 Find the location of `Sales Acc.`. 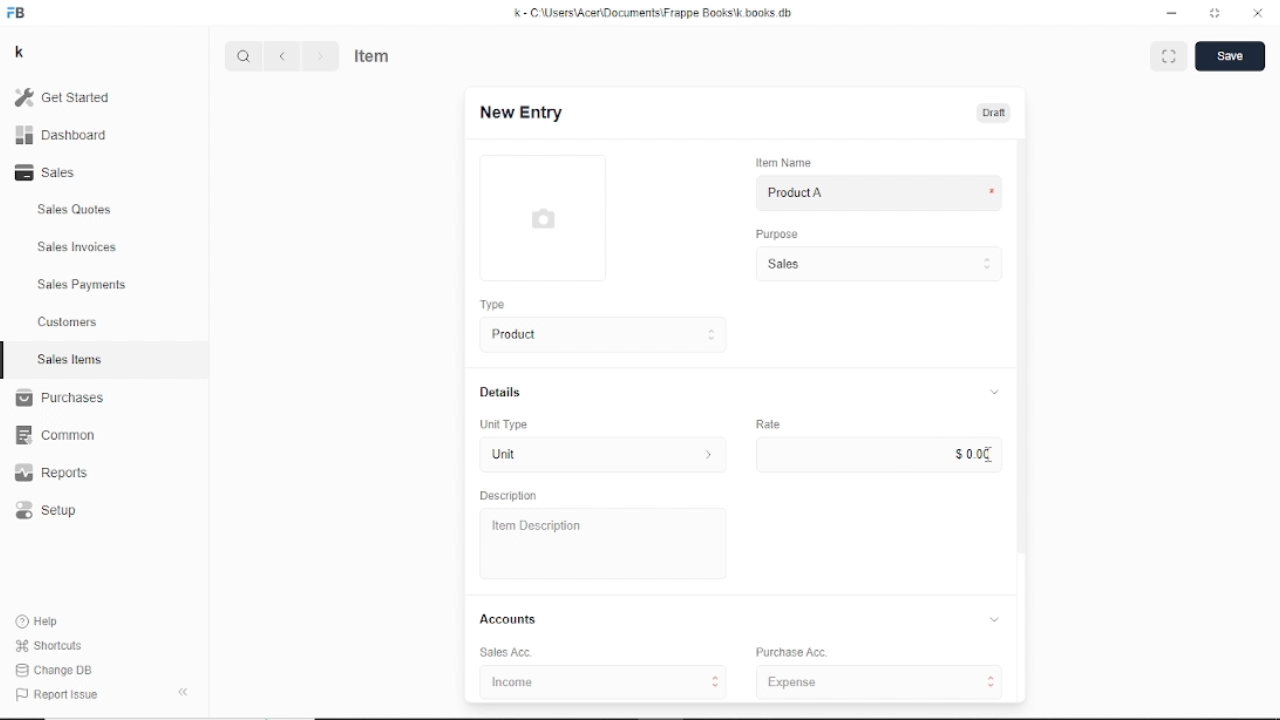

Sales Acc. is located at coordinates (502, 653).